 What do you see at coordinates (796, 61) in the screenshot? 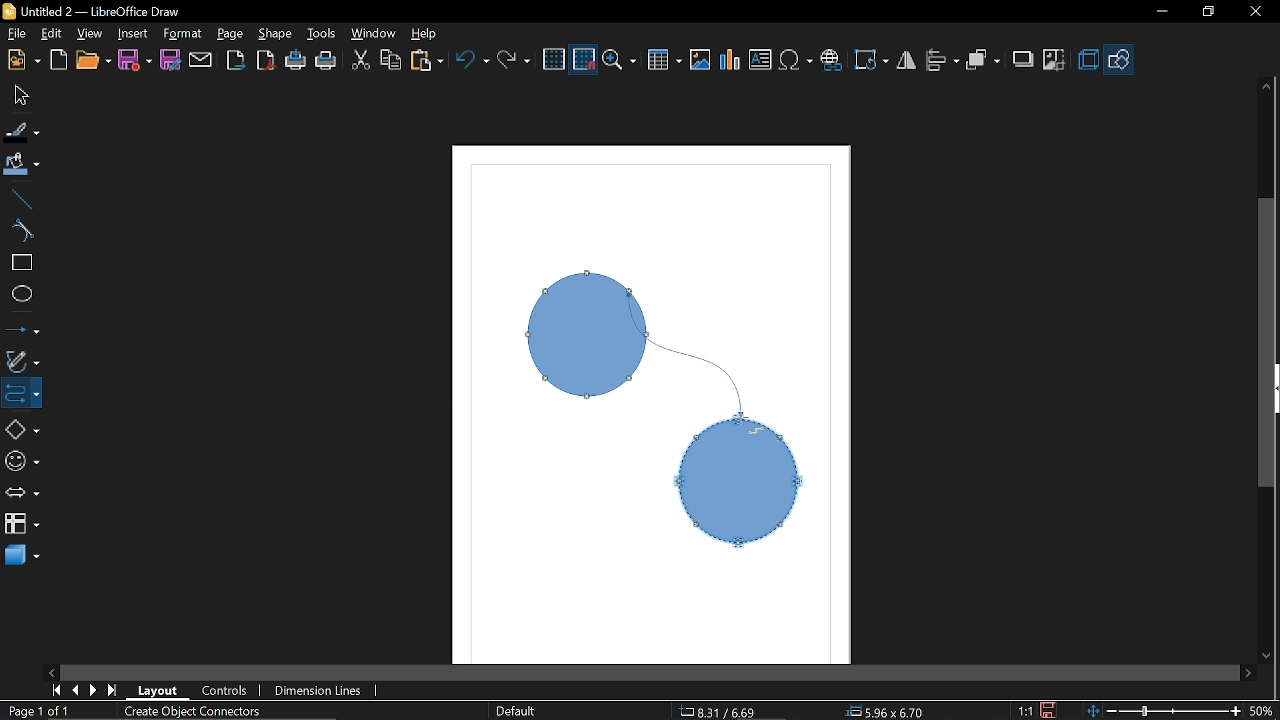
I see `Insert symbol` at bounding box center [796, 61].